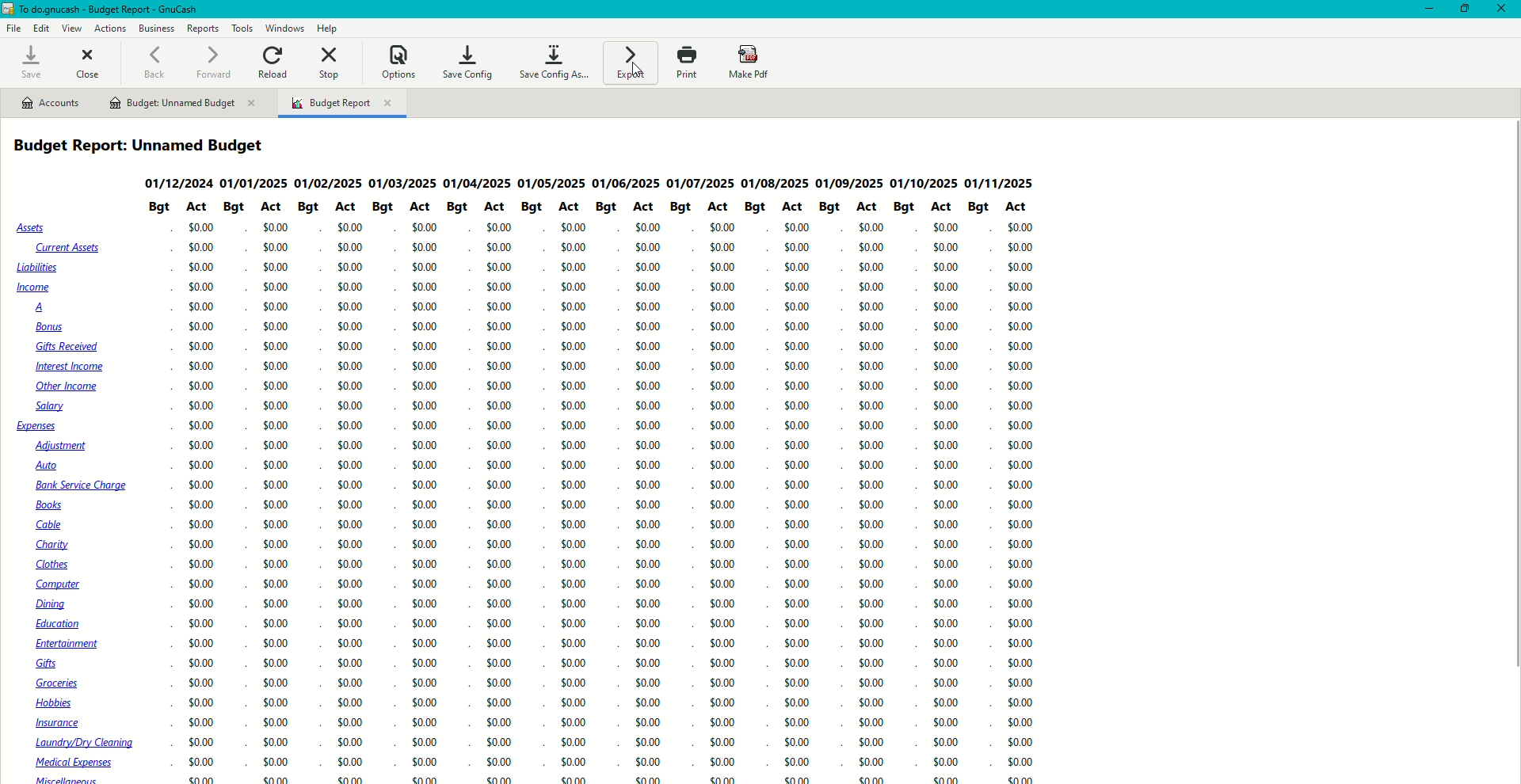  What do you see at coordinates (352, 306) in the screenshot?
I see `0.00` at bounding box center [352, 306].